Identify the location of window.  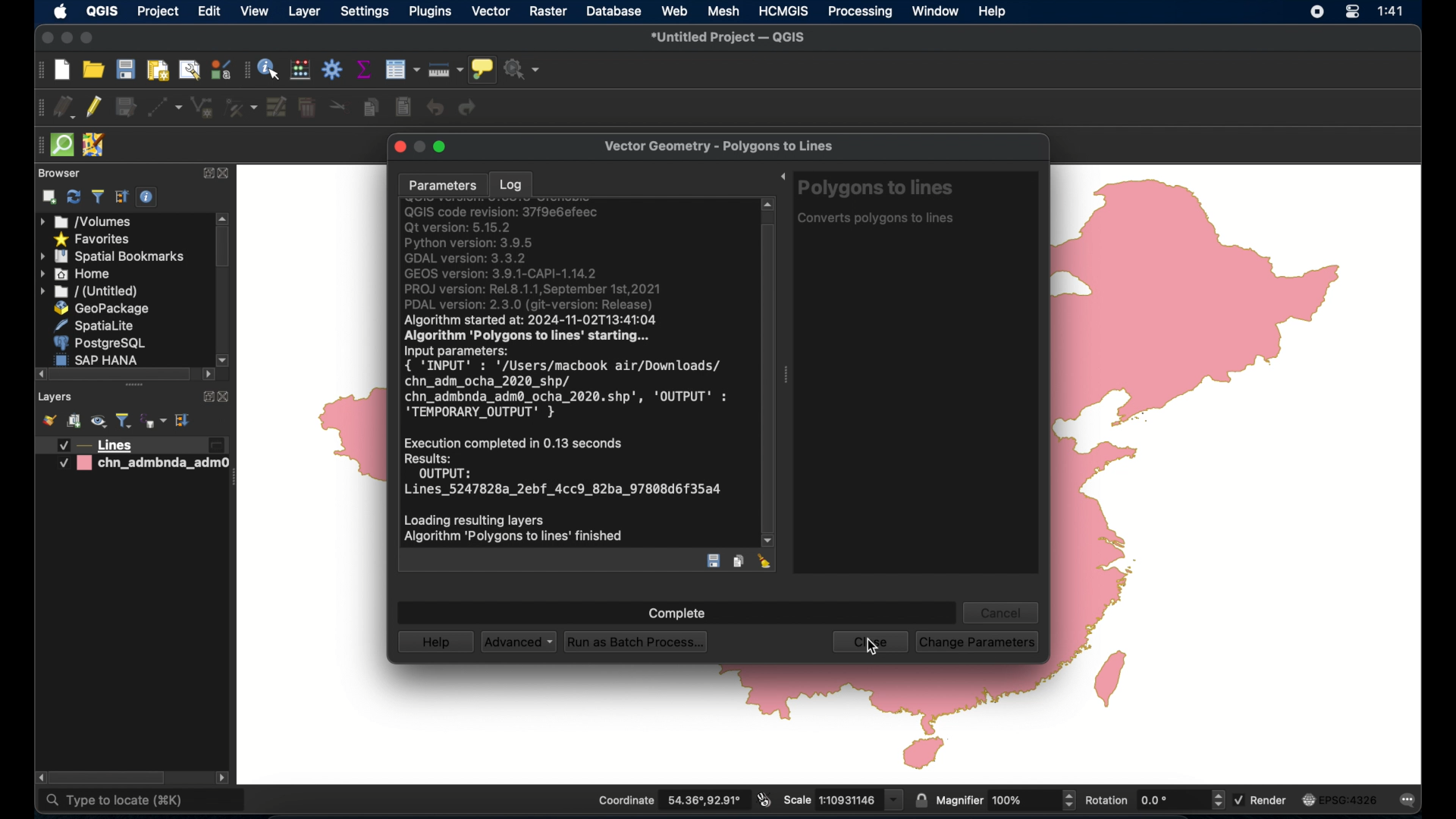
(935, 11).